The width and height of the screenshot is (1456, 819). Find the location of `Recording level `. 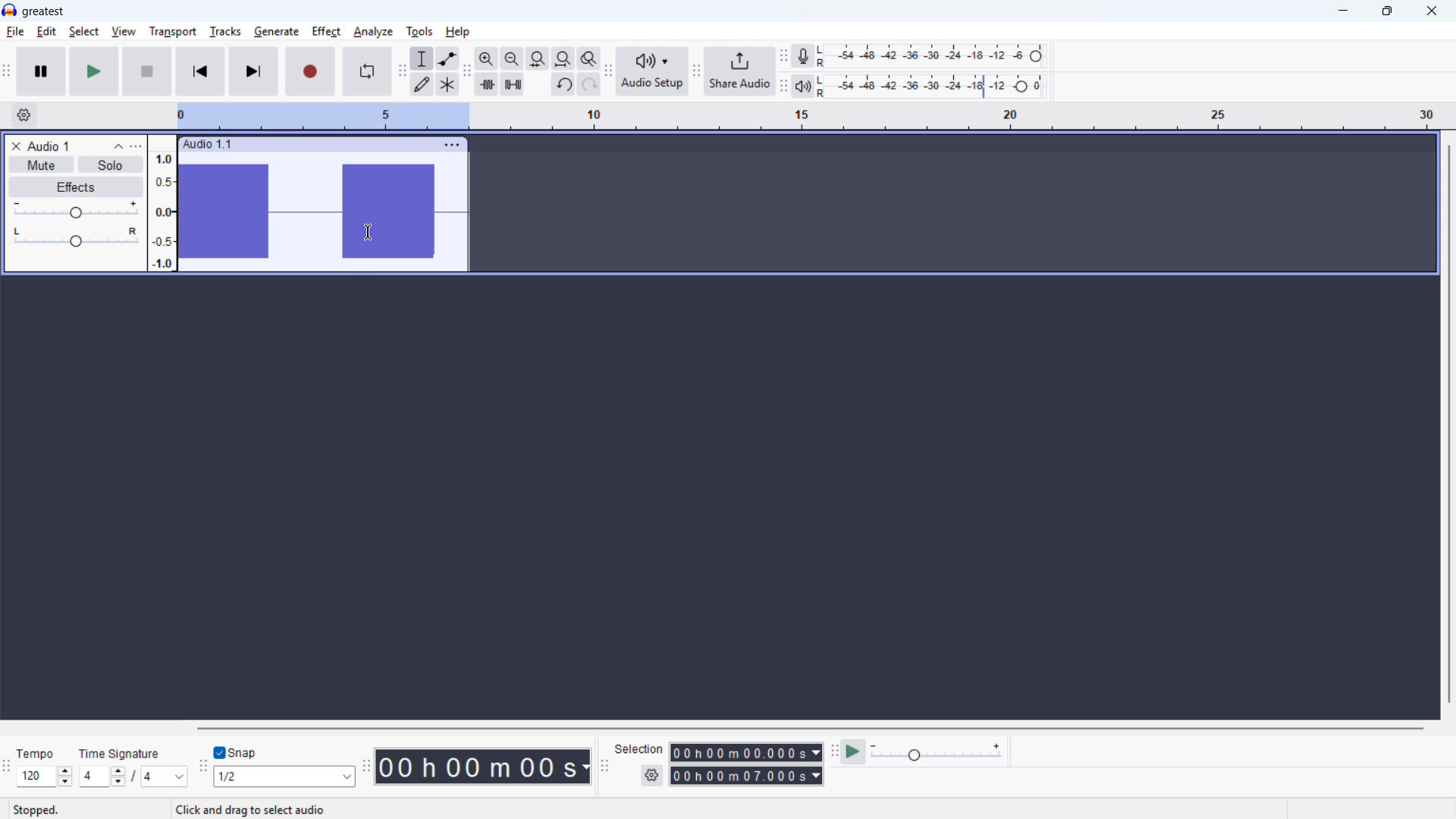

Recording level  is located at coordinates (935, 56).